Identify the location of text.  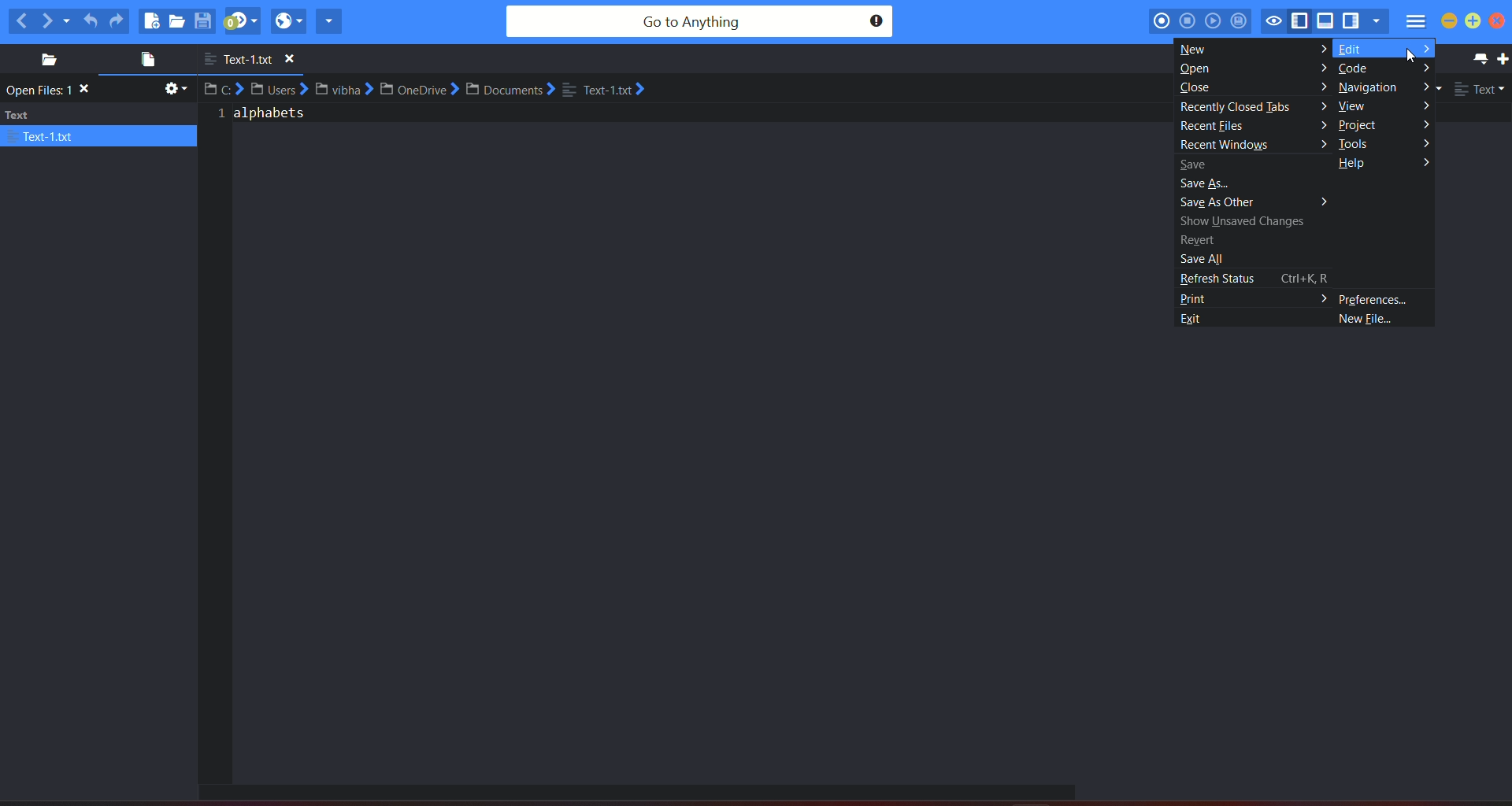
(52, 91).